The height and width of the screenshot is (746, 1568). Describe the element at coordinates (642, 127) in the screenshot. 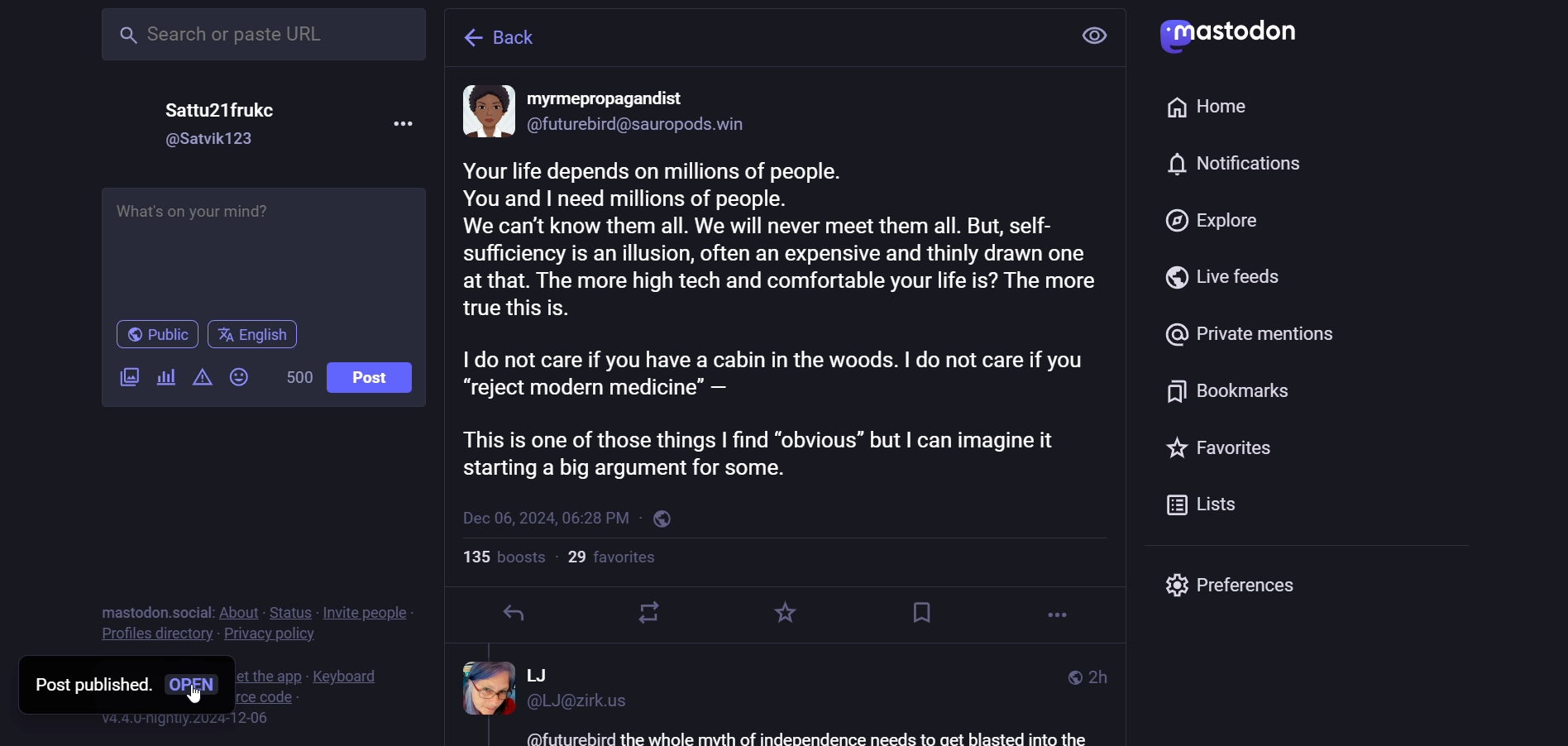

I see `id` at that location.